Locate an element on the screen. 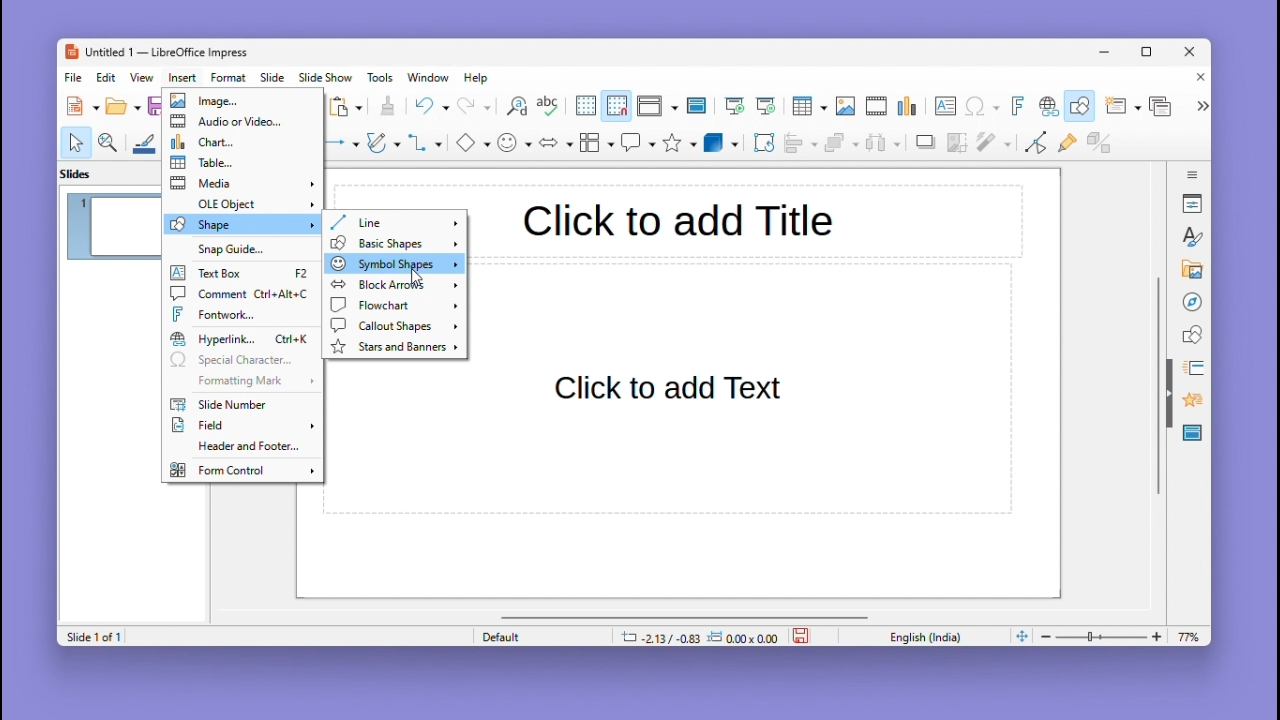  Slideshow is located at coordinates (327, 78).